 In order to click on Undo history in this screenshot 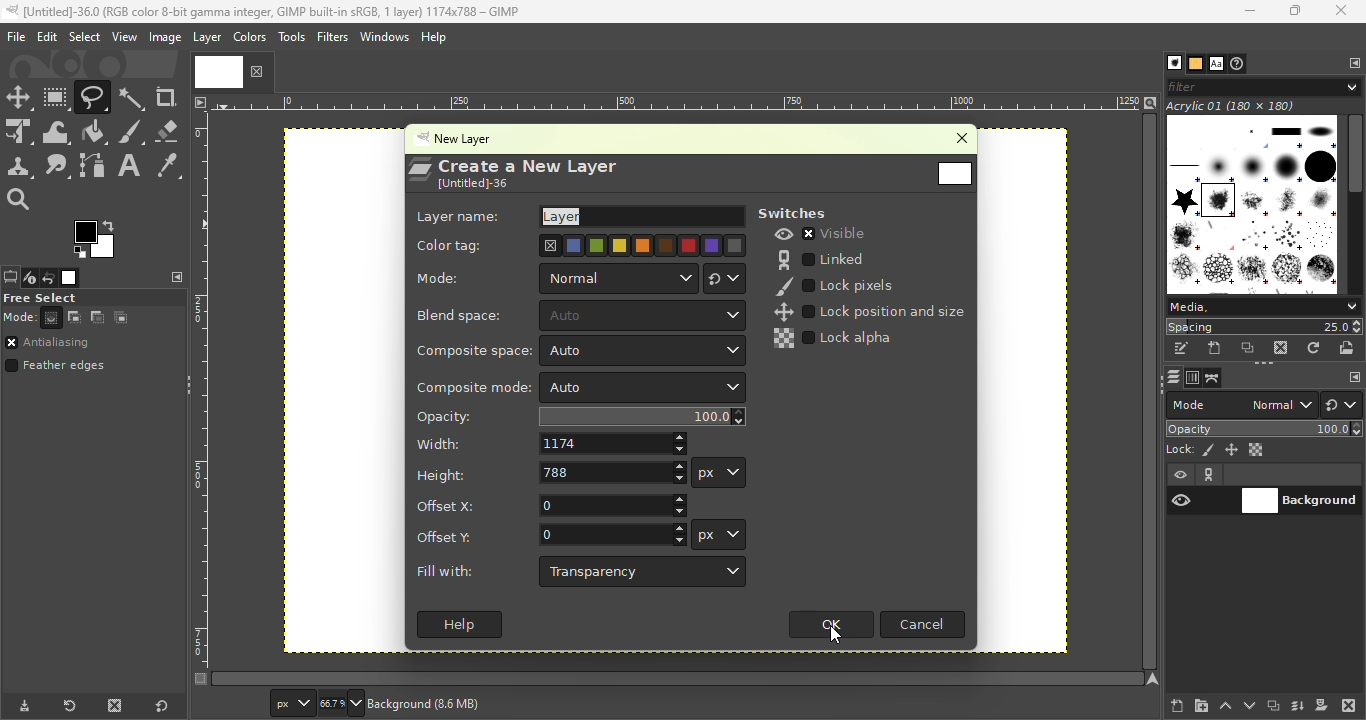, I will do `click(46, 279)`.